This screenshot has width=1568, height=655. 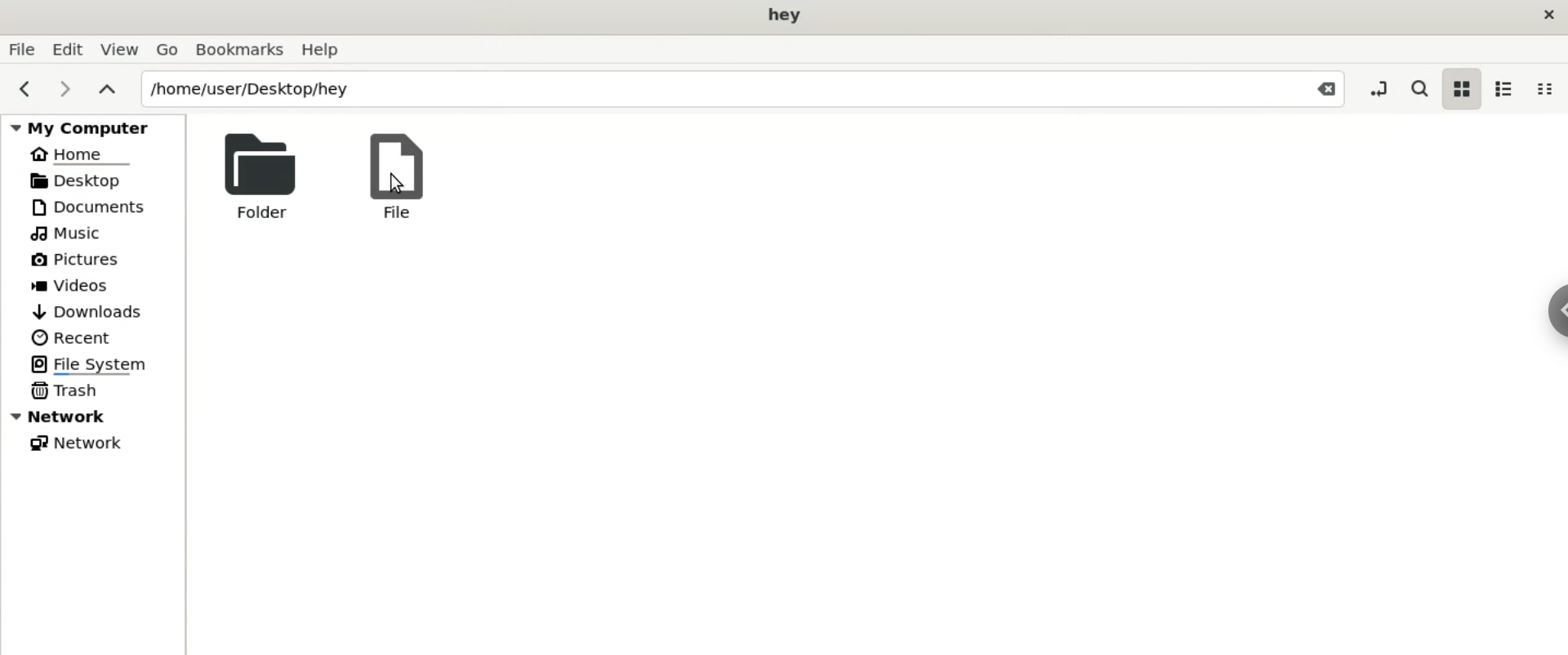 I want to click on chrome options, so click(x=1554, y=316).